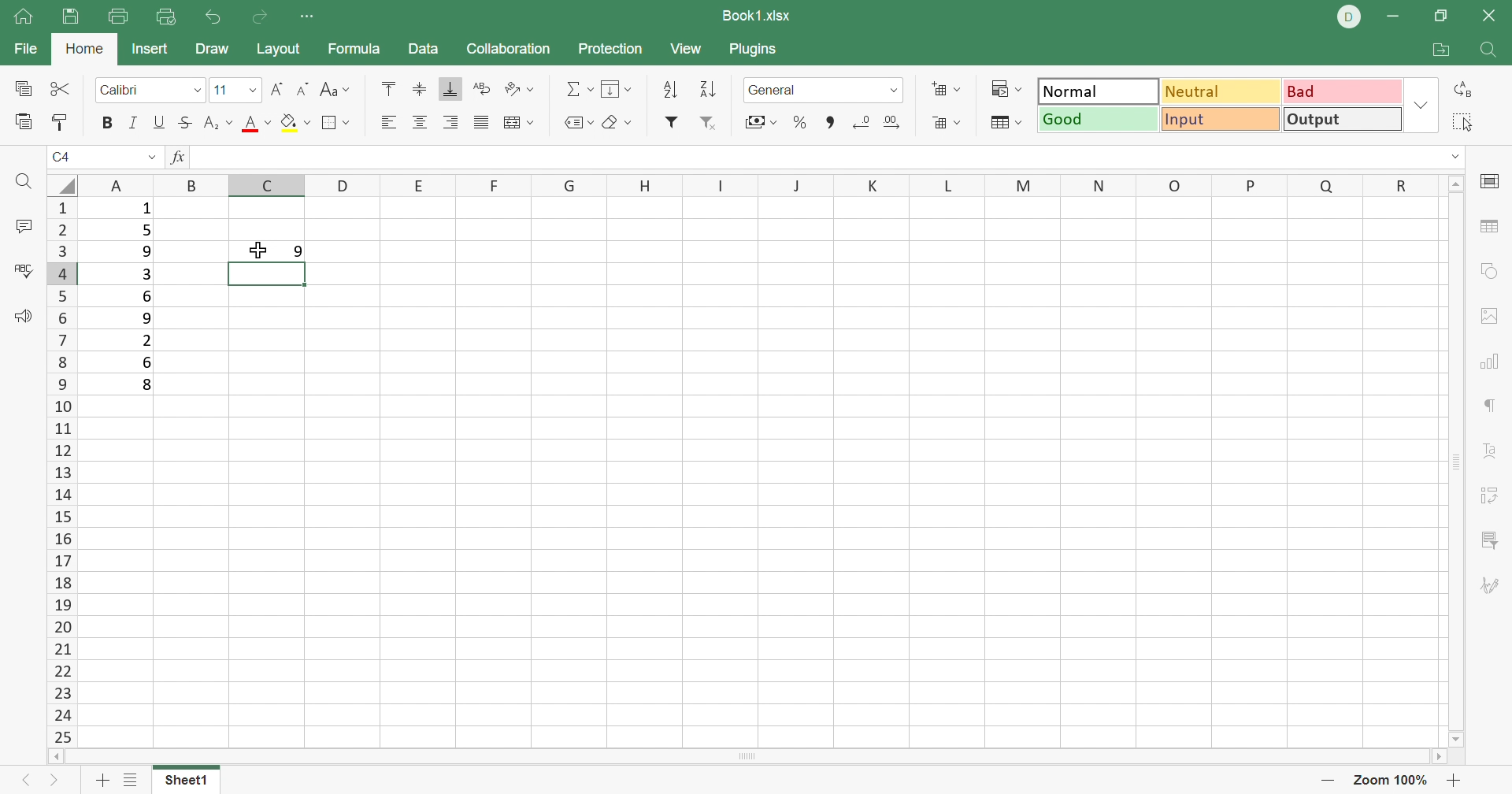  What do you see at coordinates (578, 89) in the screenshot?
I see `Summation` at bounding box center [578, 89].